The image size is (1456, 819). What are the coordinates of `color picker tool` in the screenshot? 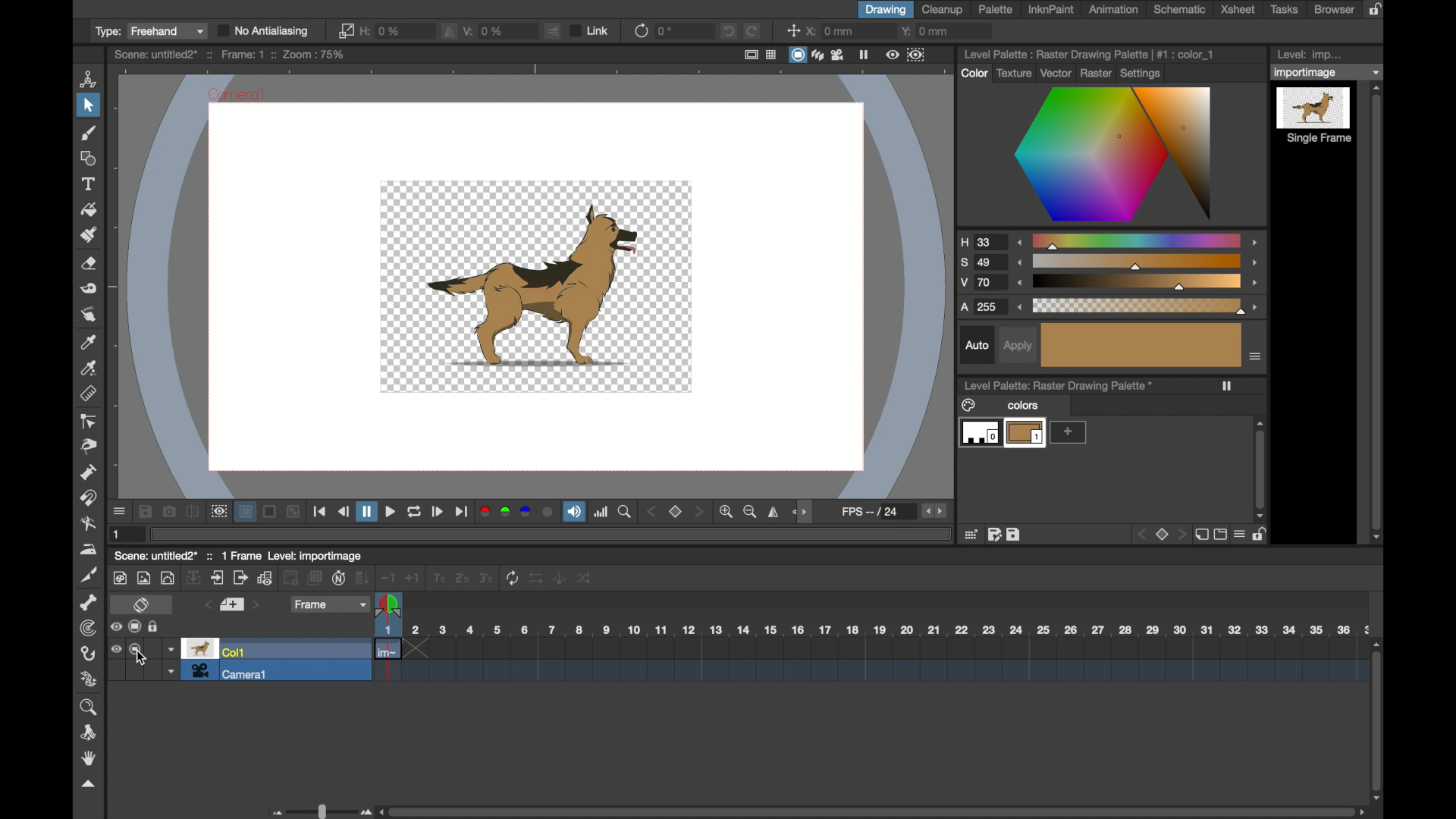 It's located at (87, 342).